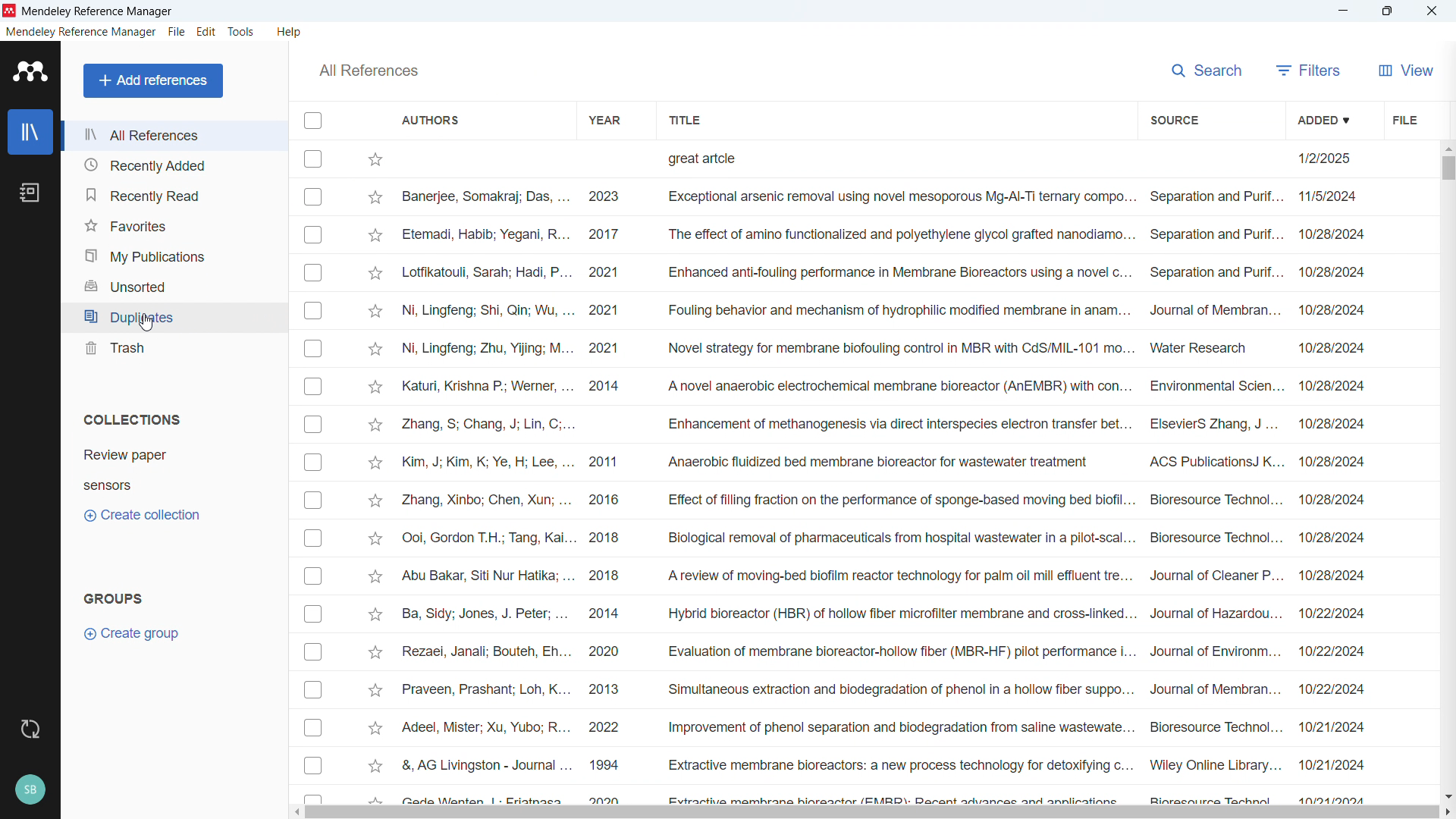  I want to click on maximise , so click(1390, 11).